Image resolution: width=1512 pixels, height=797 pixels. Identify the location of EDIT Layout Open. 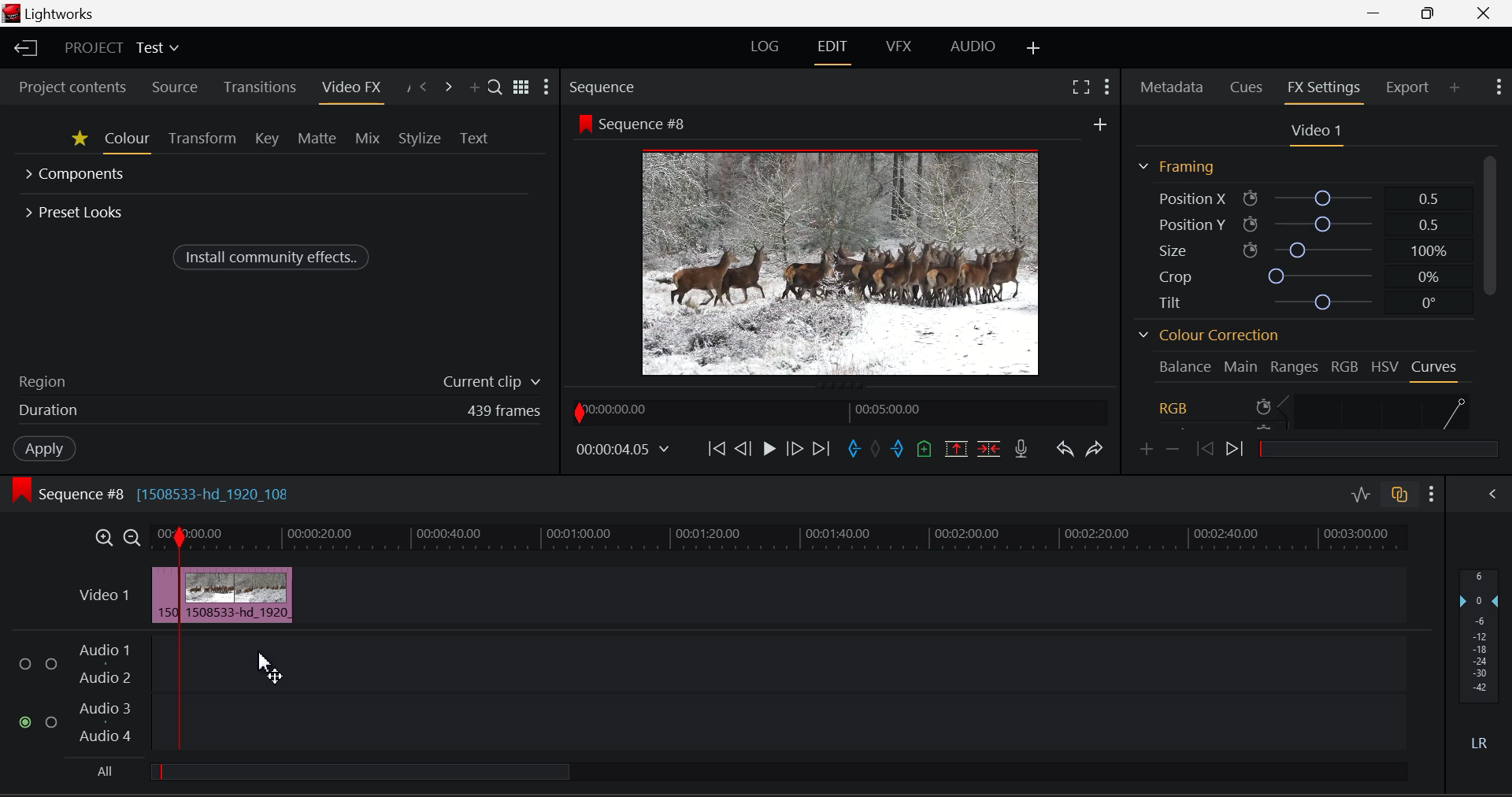
(835, 48).